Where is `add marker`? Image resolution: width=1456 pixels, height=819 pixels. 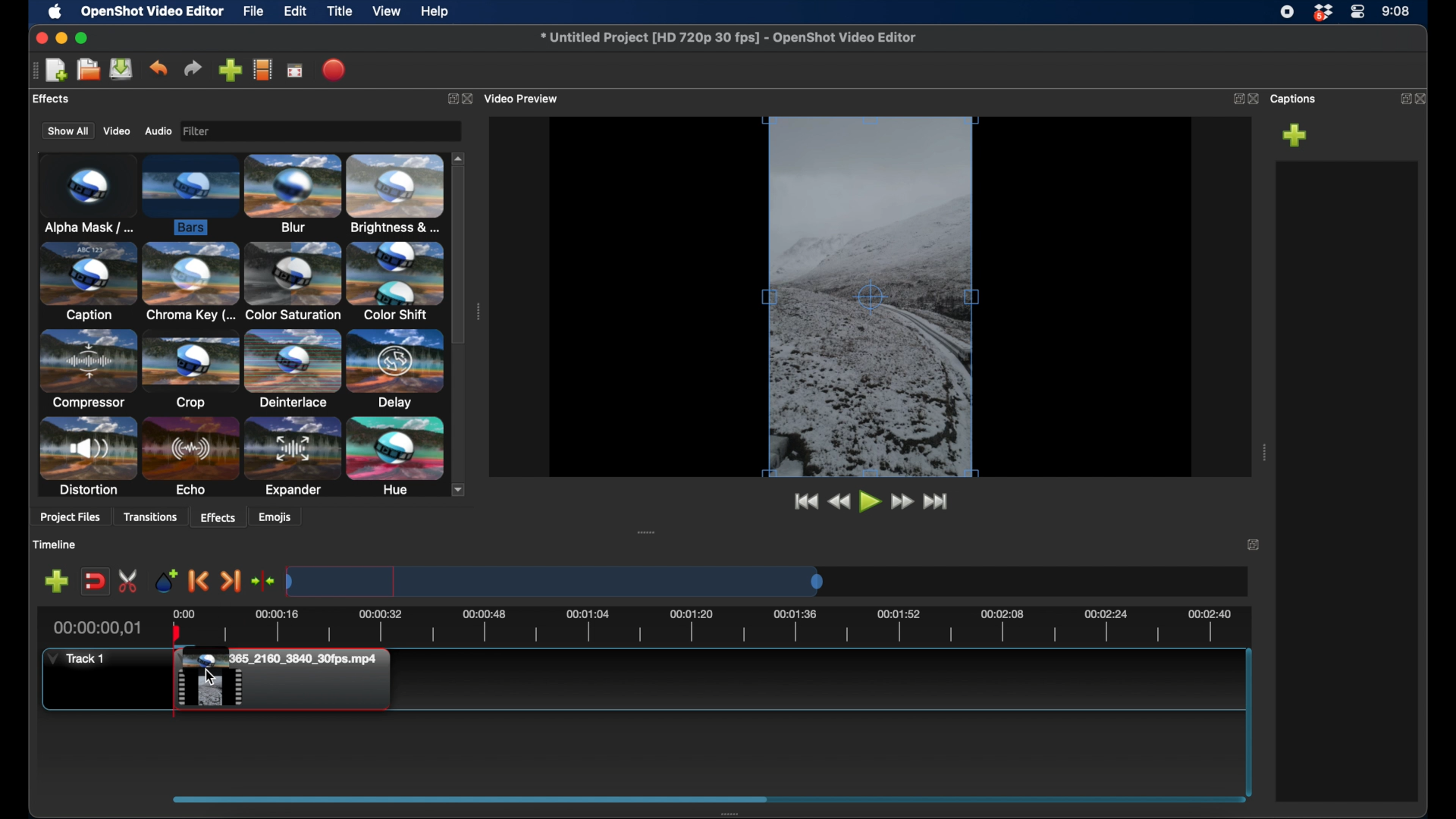 add marker is located at coordinates (168, 581).